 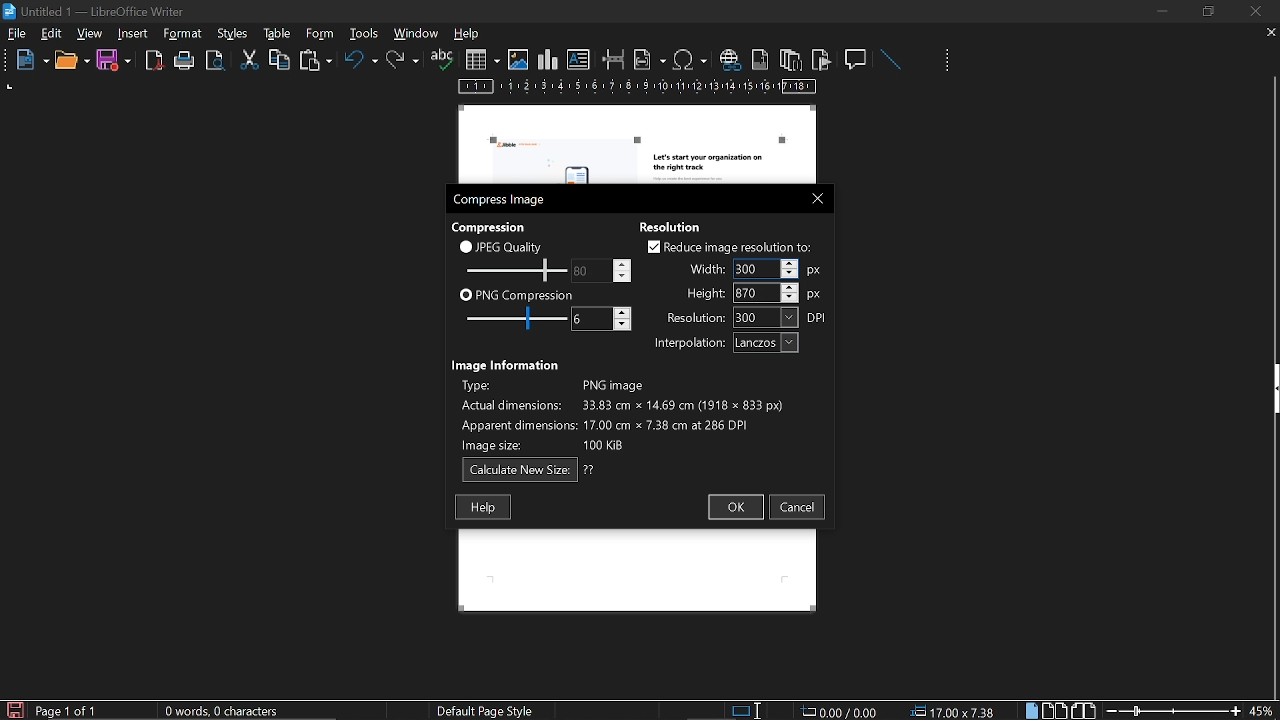 I want to click on spelling, so click(x=442, y=60).